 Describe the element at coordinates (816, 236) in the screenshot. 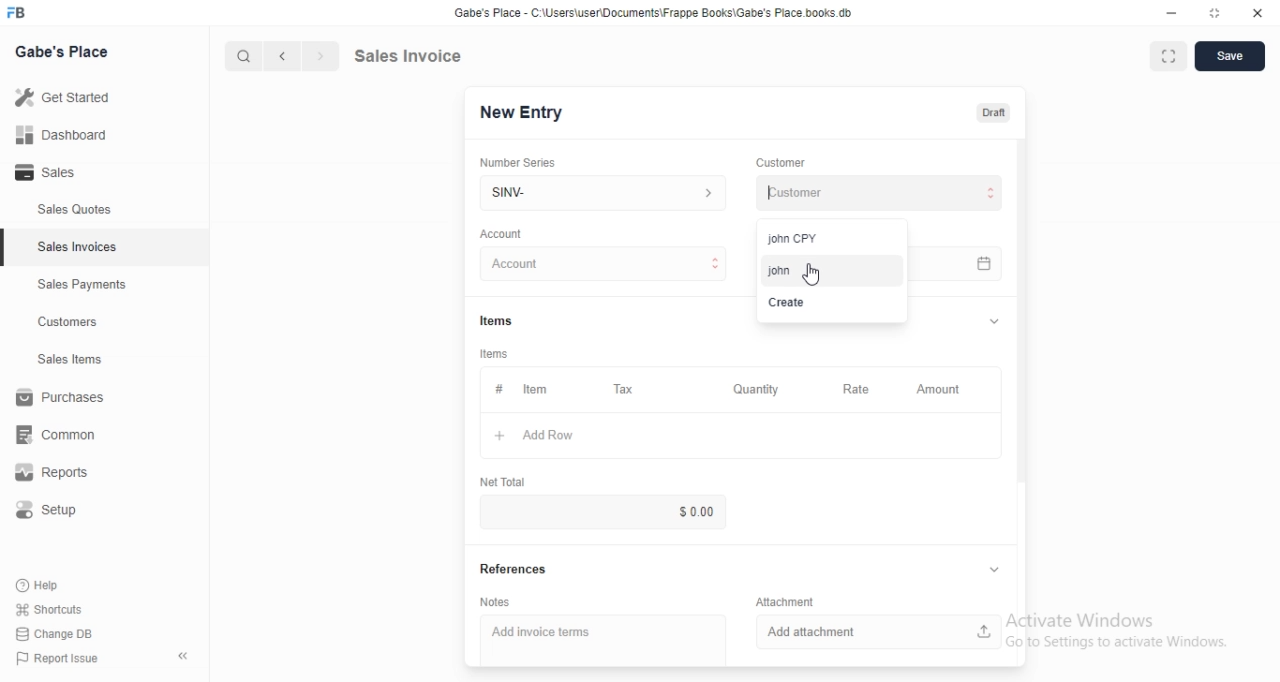

I see `john CRY` at that location.